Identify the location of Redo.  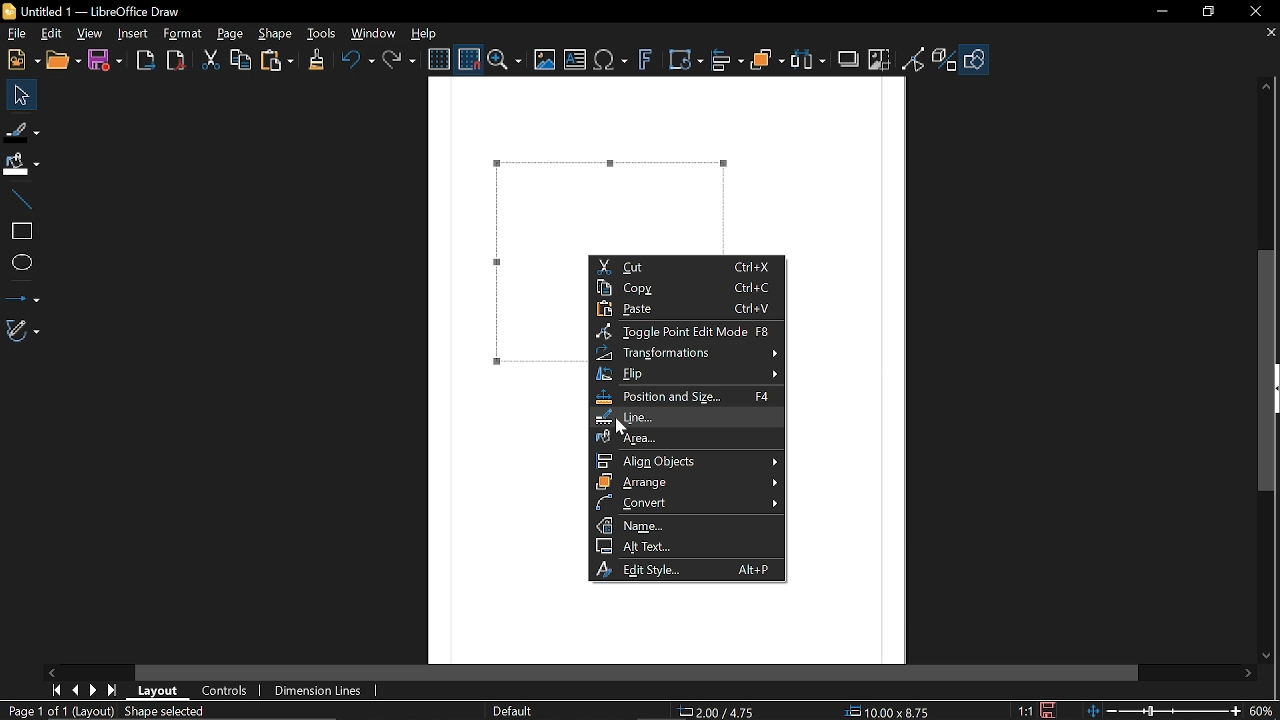
(401, 59).